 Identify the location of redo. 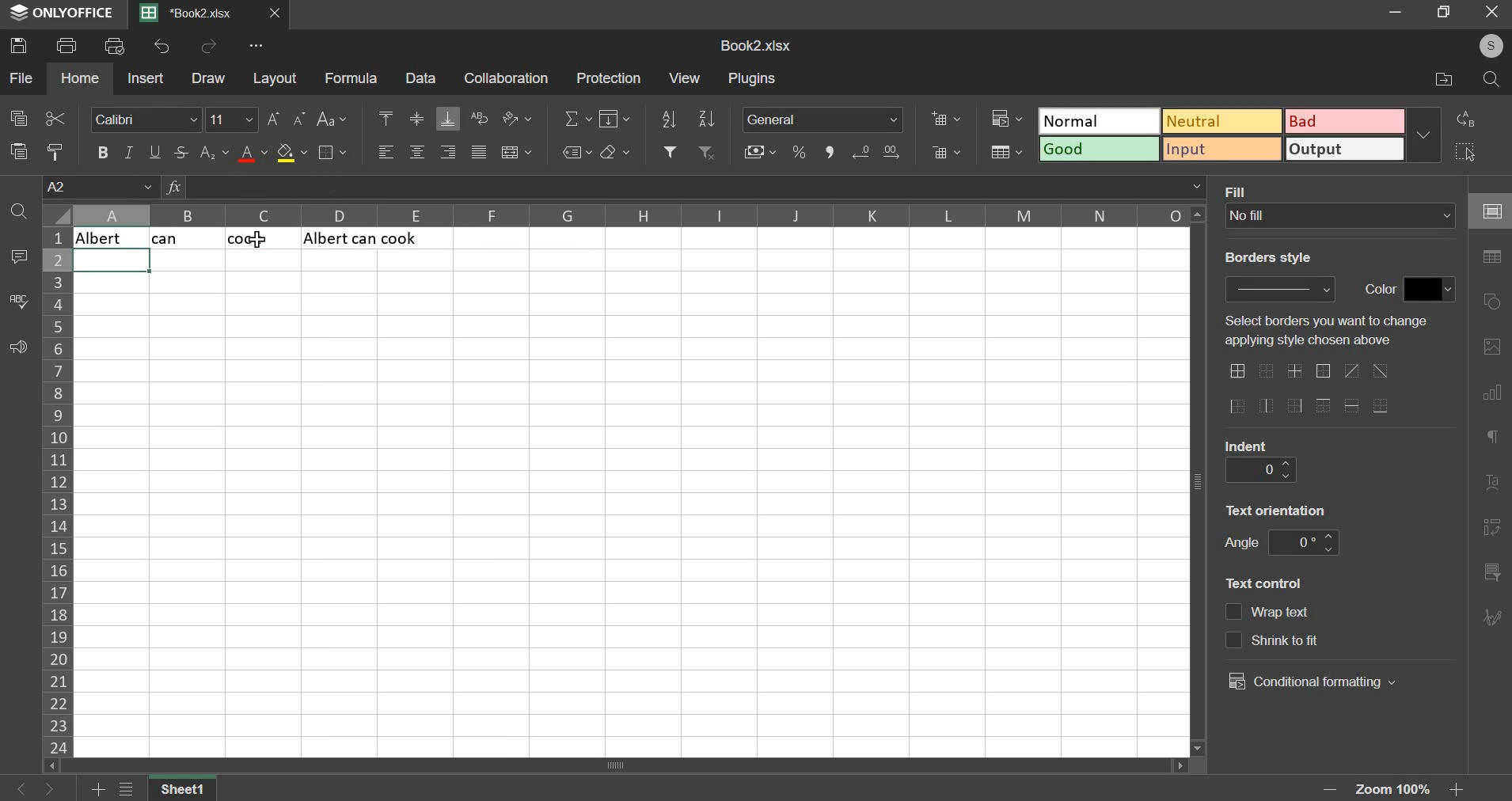
(211, 47).